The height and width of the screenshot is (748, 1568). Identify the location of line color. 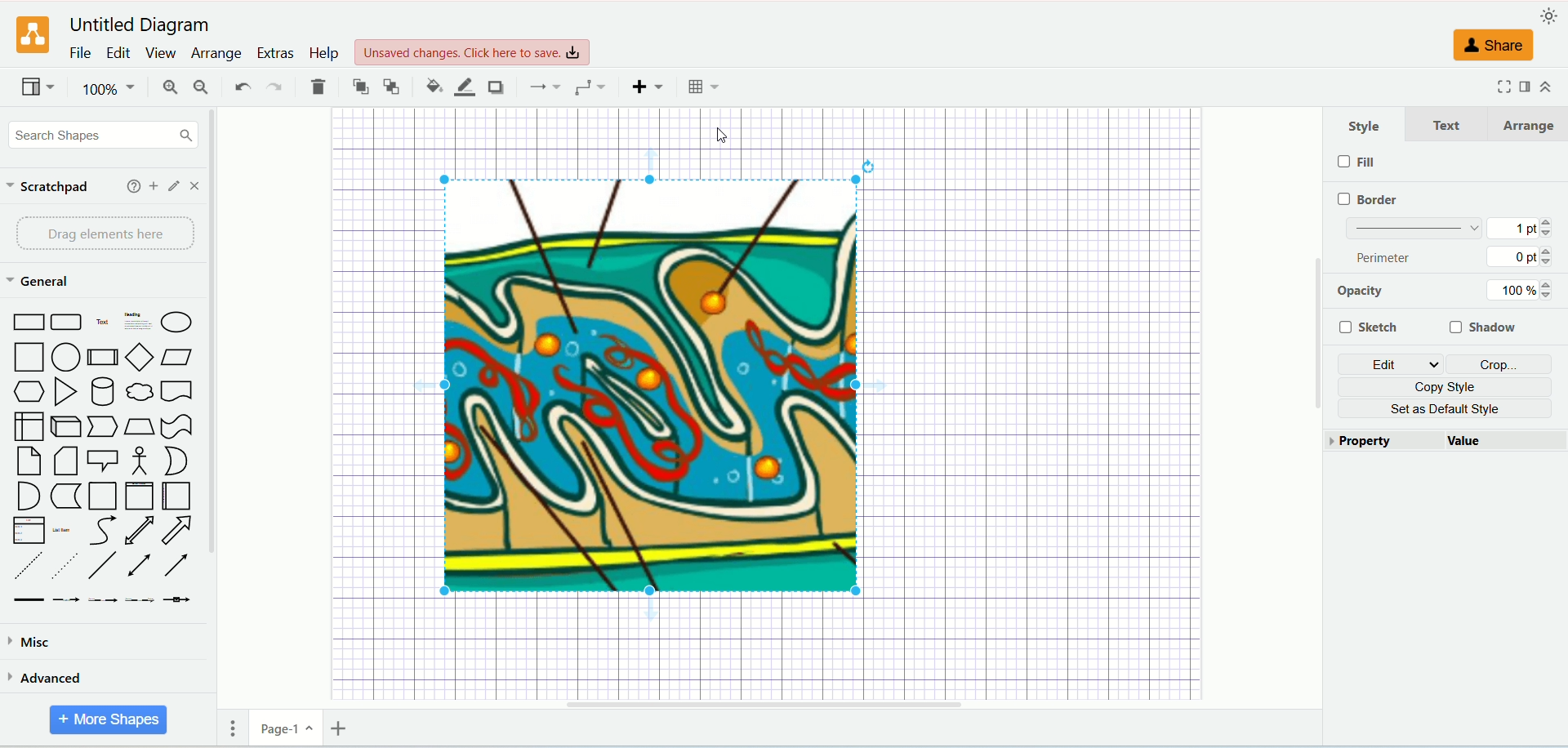
(464, 87).